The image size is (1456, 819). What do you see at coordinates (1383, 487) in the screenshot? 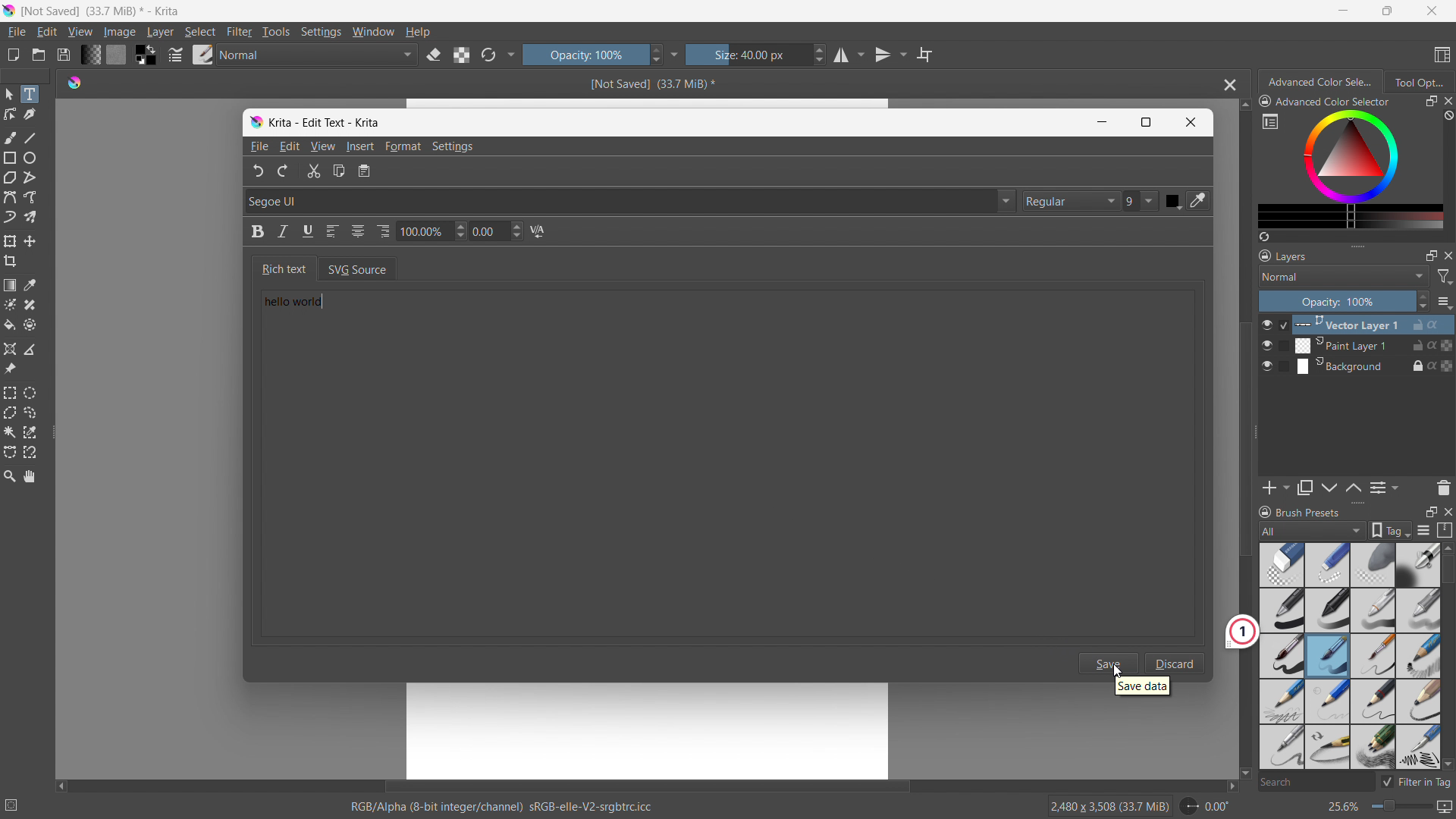
I see `view/change layer properties` at bounding box center [1383, 487].